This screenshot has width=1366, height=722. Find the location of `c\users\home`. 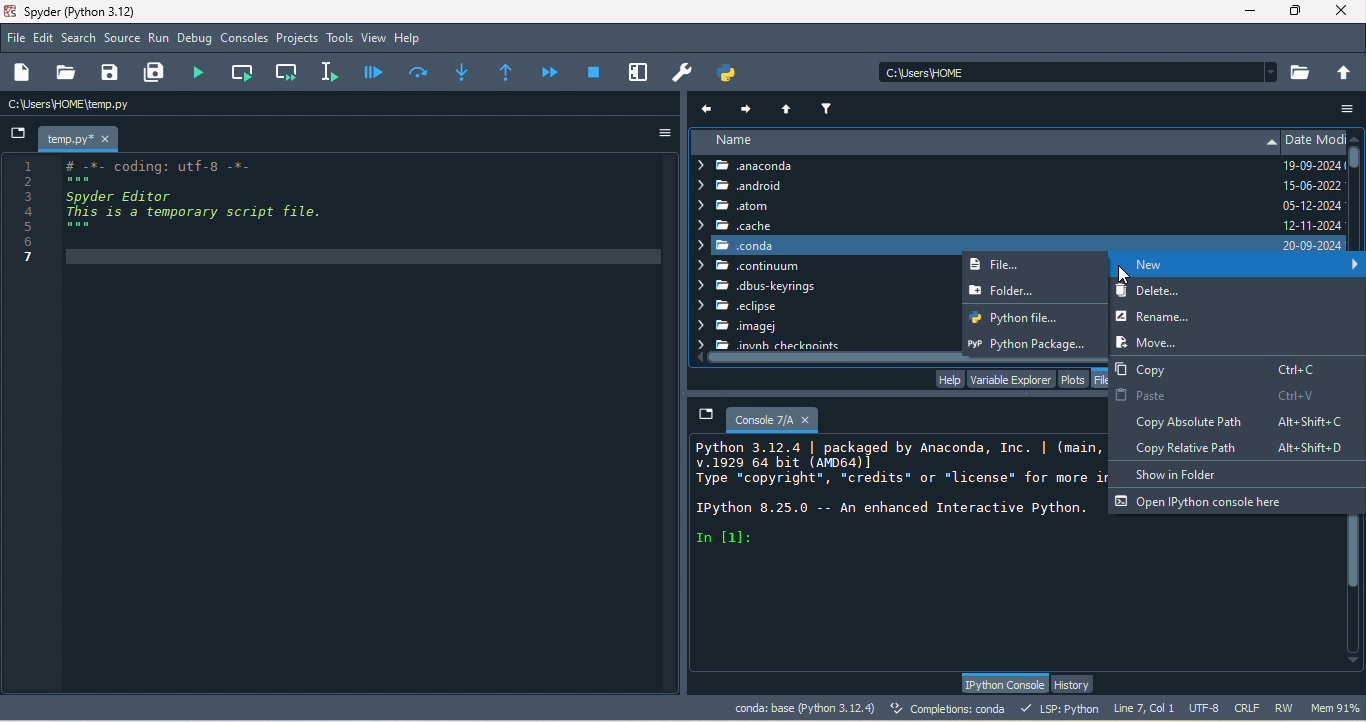

c\users\home is located at coordinates (126, 105).